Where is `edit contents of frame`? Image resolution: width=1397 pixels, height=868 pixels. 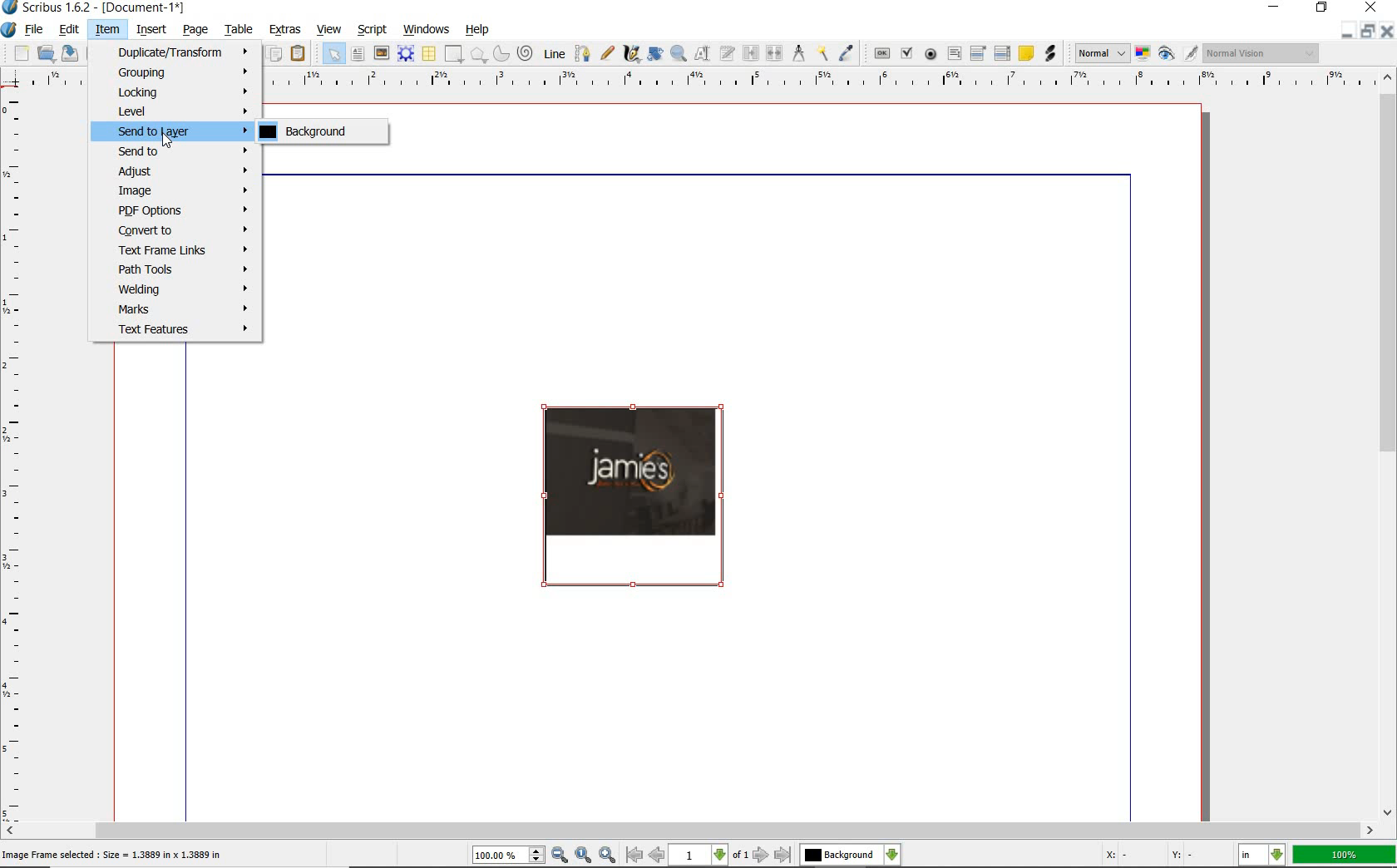 edit contents of frame is located at coordinates (654, 54).